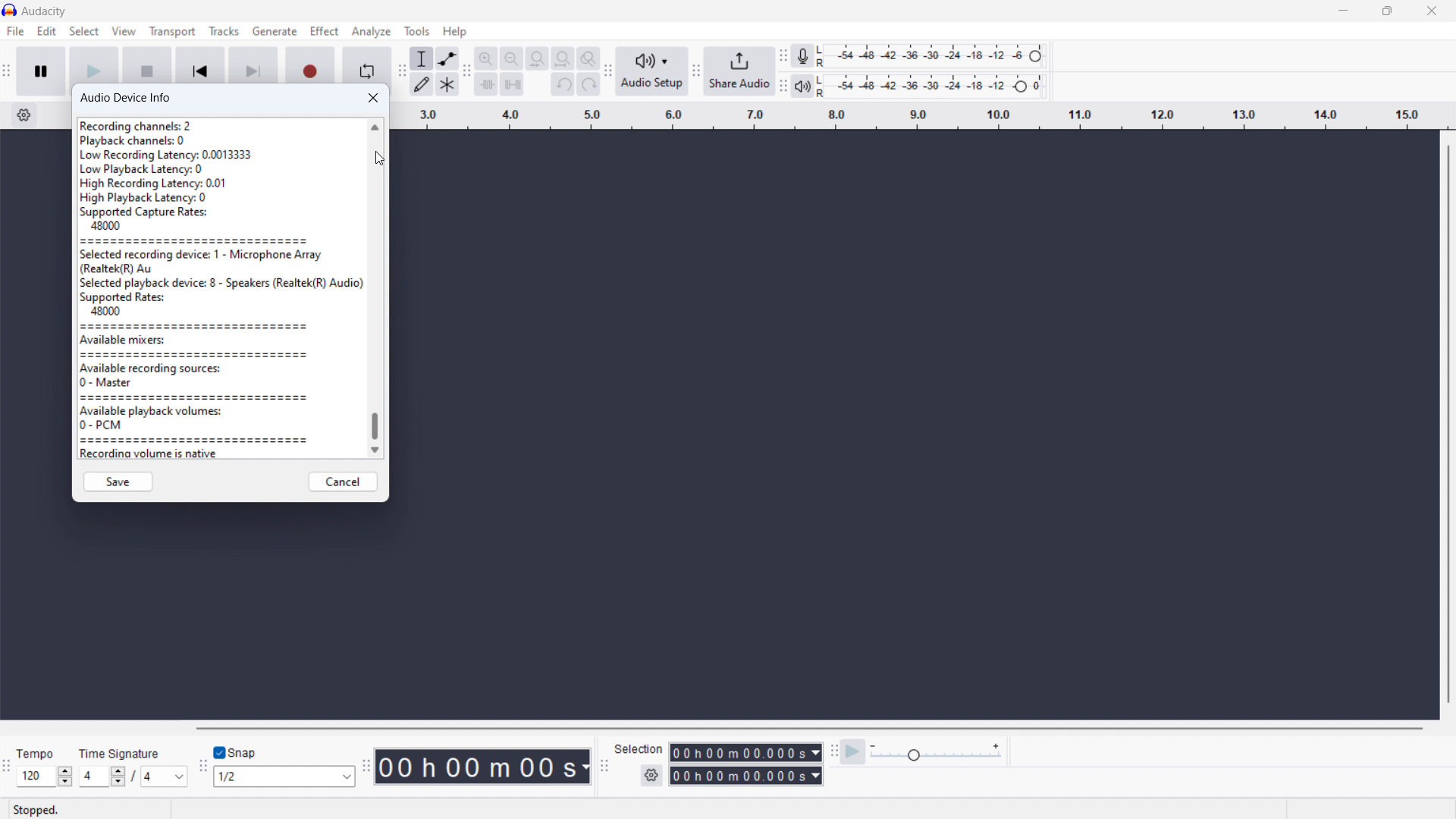 The image size is (1456, 819). What do you see at coordinates (95, 63) in the screenshot?
I see `play` at bounding box center [95, 63].